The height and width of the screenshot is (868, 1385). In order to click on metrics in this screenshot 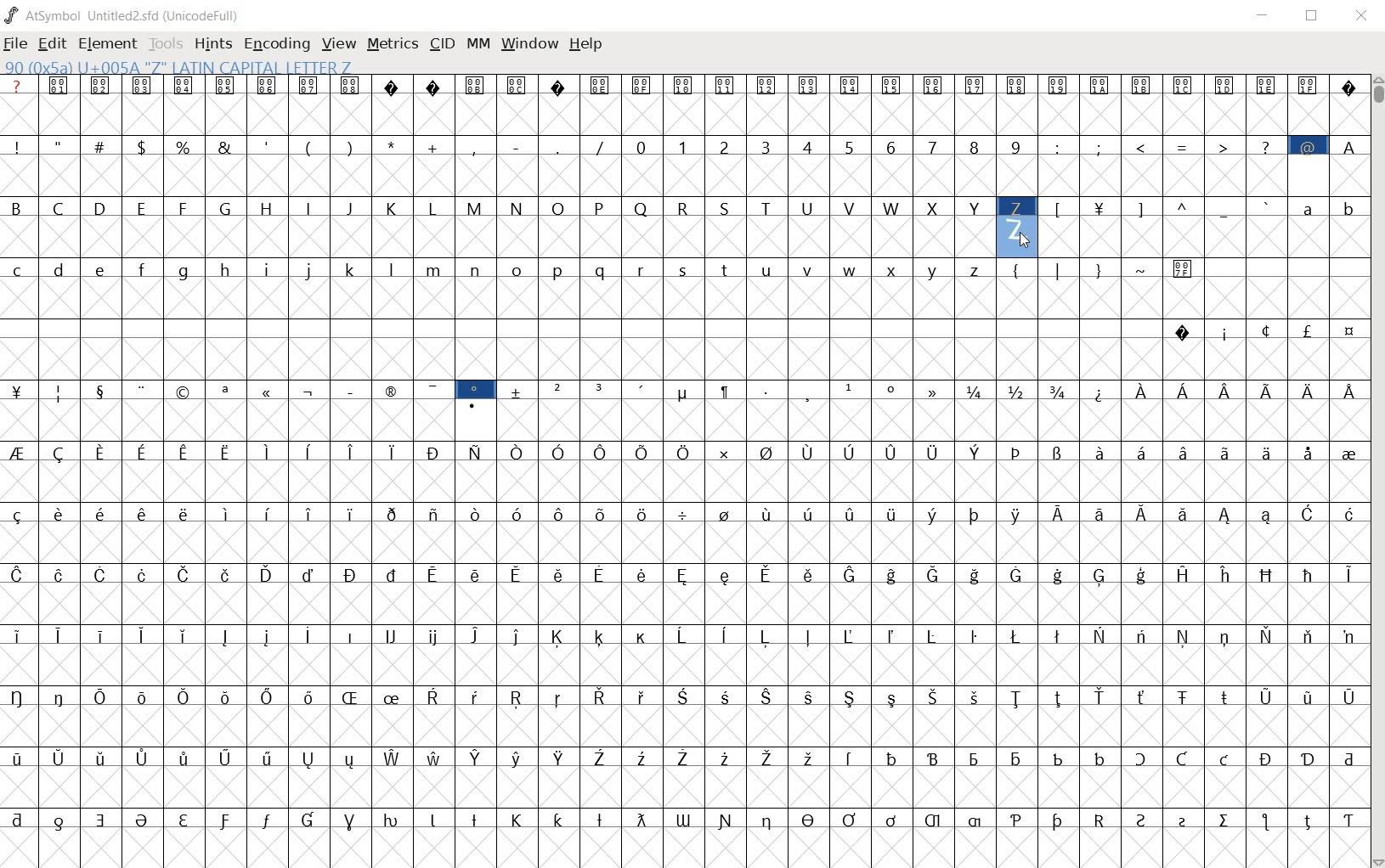, I will do `click(394, 45)`.